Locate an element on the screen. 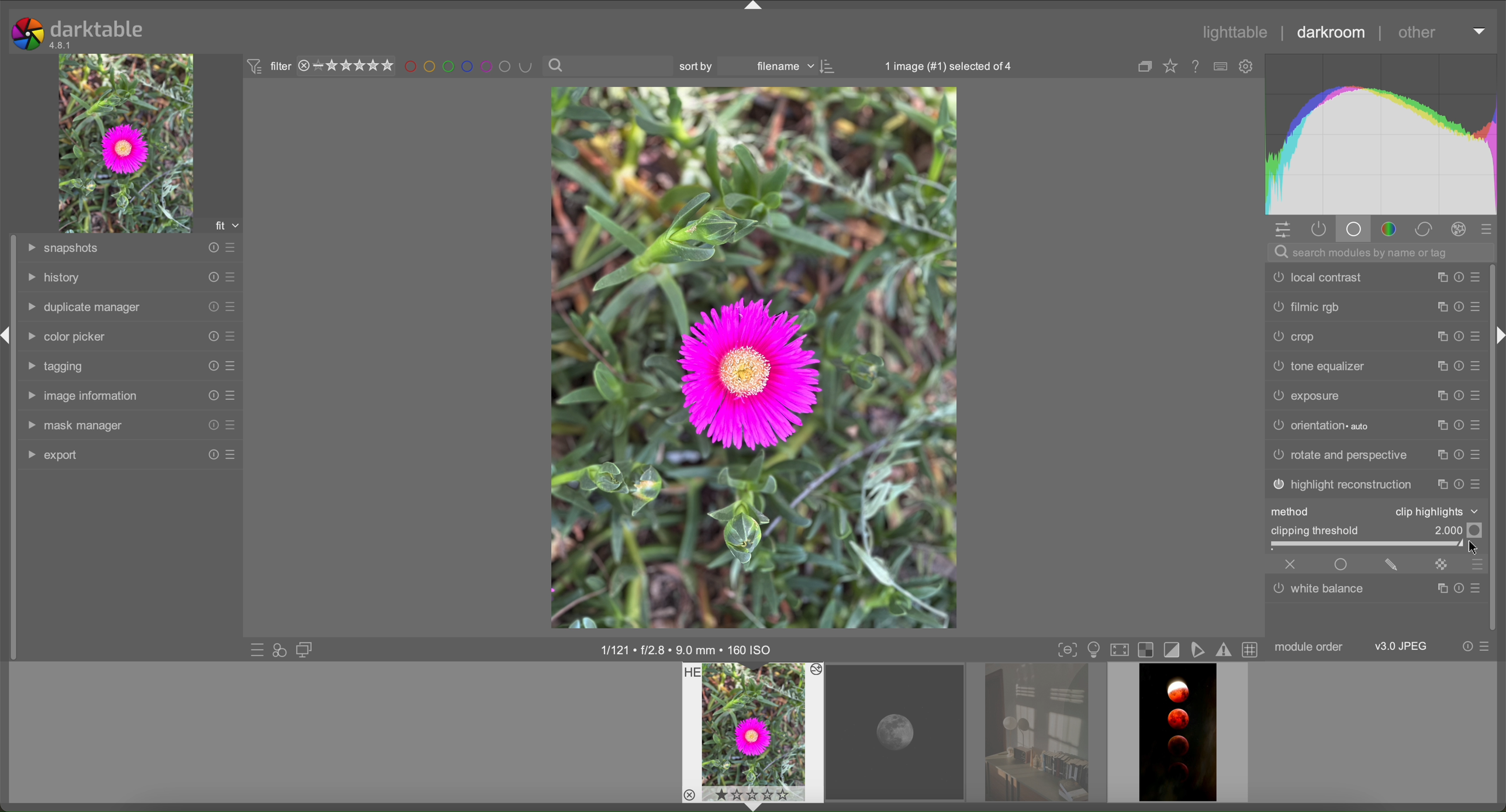  base is located at coordinates (1353, 228).